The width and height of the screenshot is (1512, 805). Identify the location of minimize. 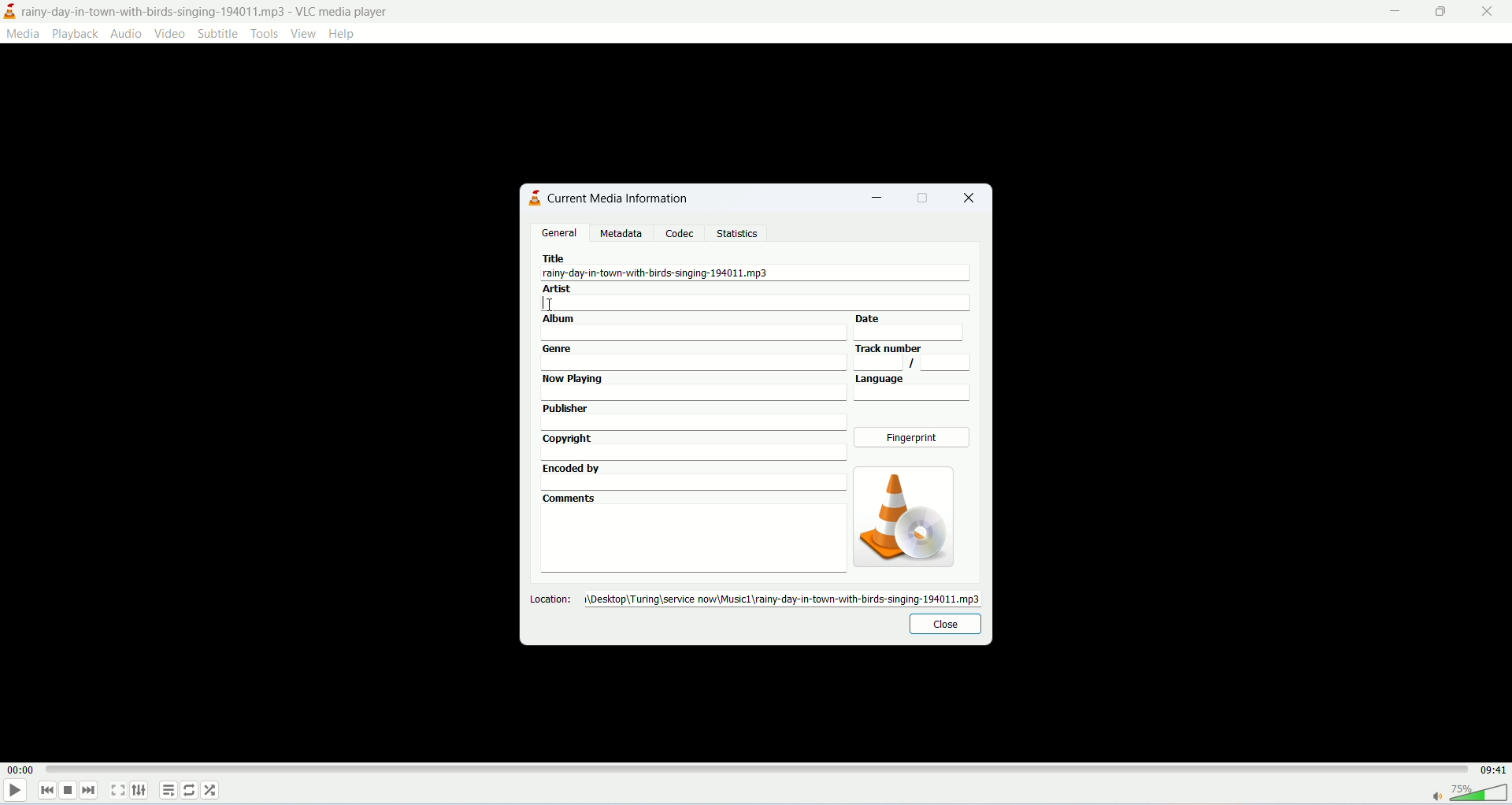
(1395, 9).